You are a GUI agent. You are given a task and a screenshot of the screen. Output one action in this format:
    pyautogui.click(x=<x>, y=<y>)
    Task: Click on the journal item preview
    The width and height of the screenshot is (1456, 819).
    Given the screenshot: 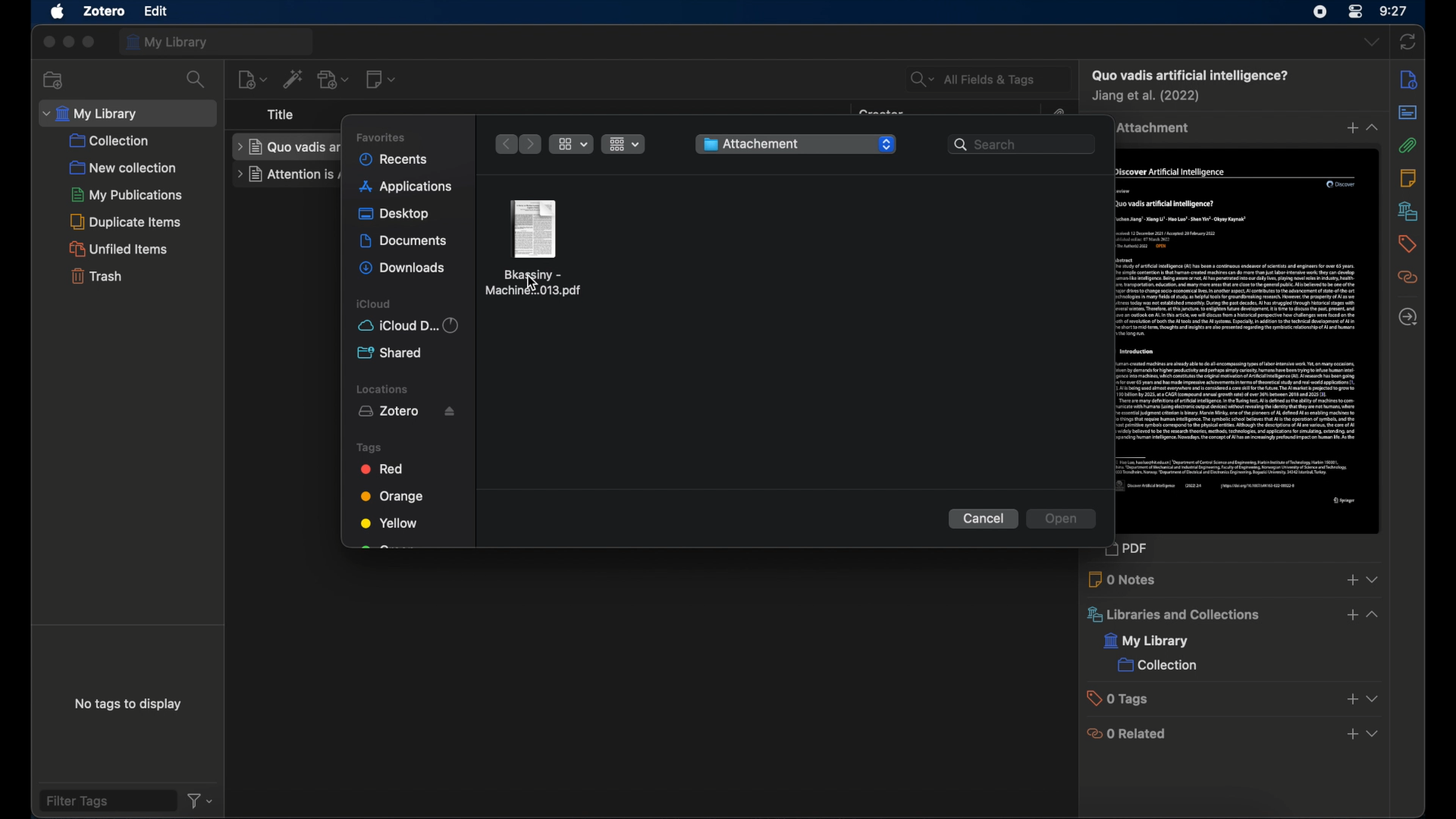 What is the action you would take?
    pyautogui.click(x=1249, y=343)
    